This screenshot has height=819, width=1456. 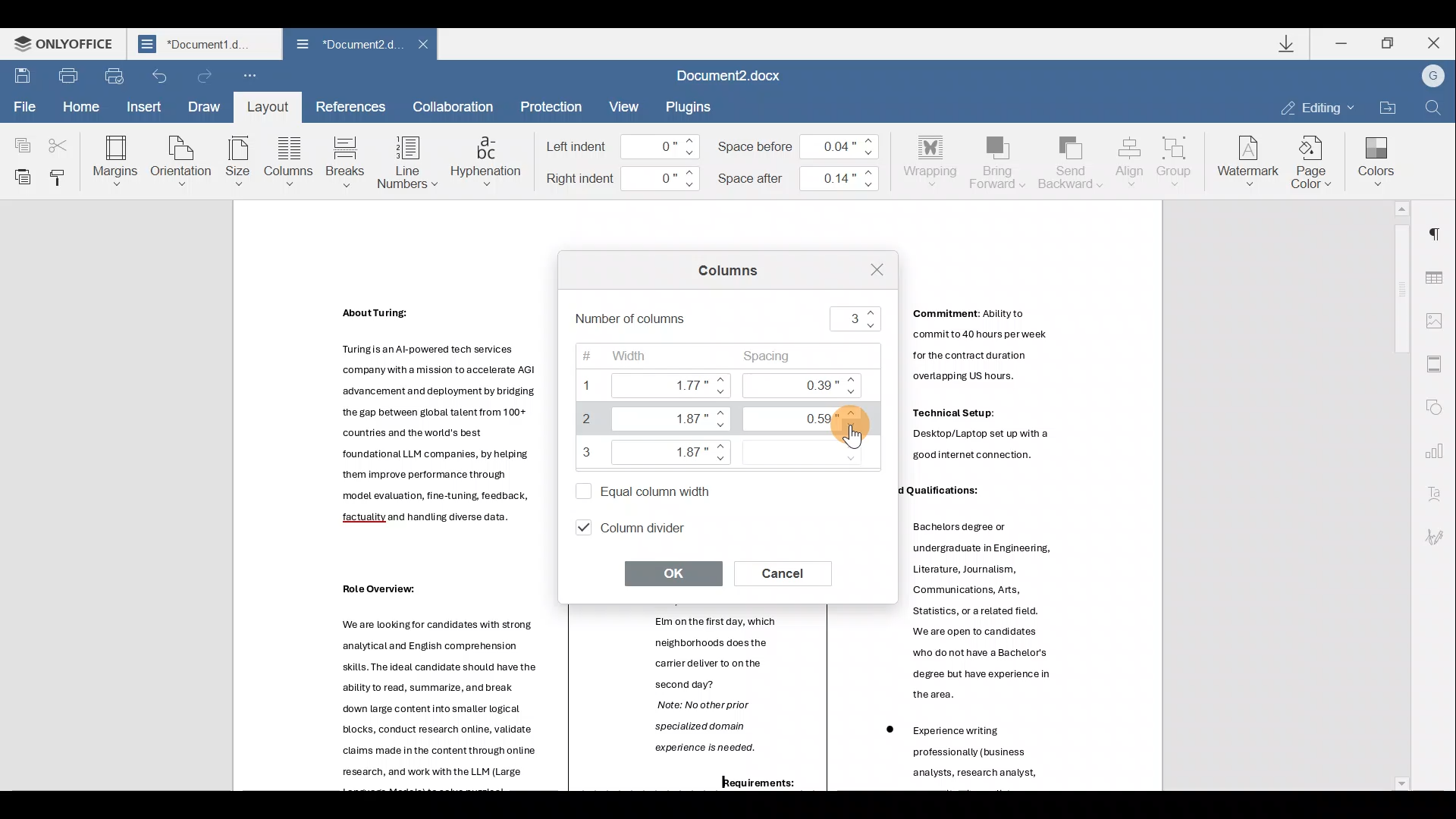 What do you see at coordinates (347, 48) in the screenshot?
I see `Document2.d` at bounding box center [347, 48].